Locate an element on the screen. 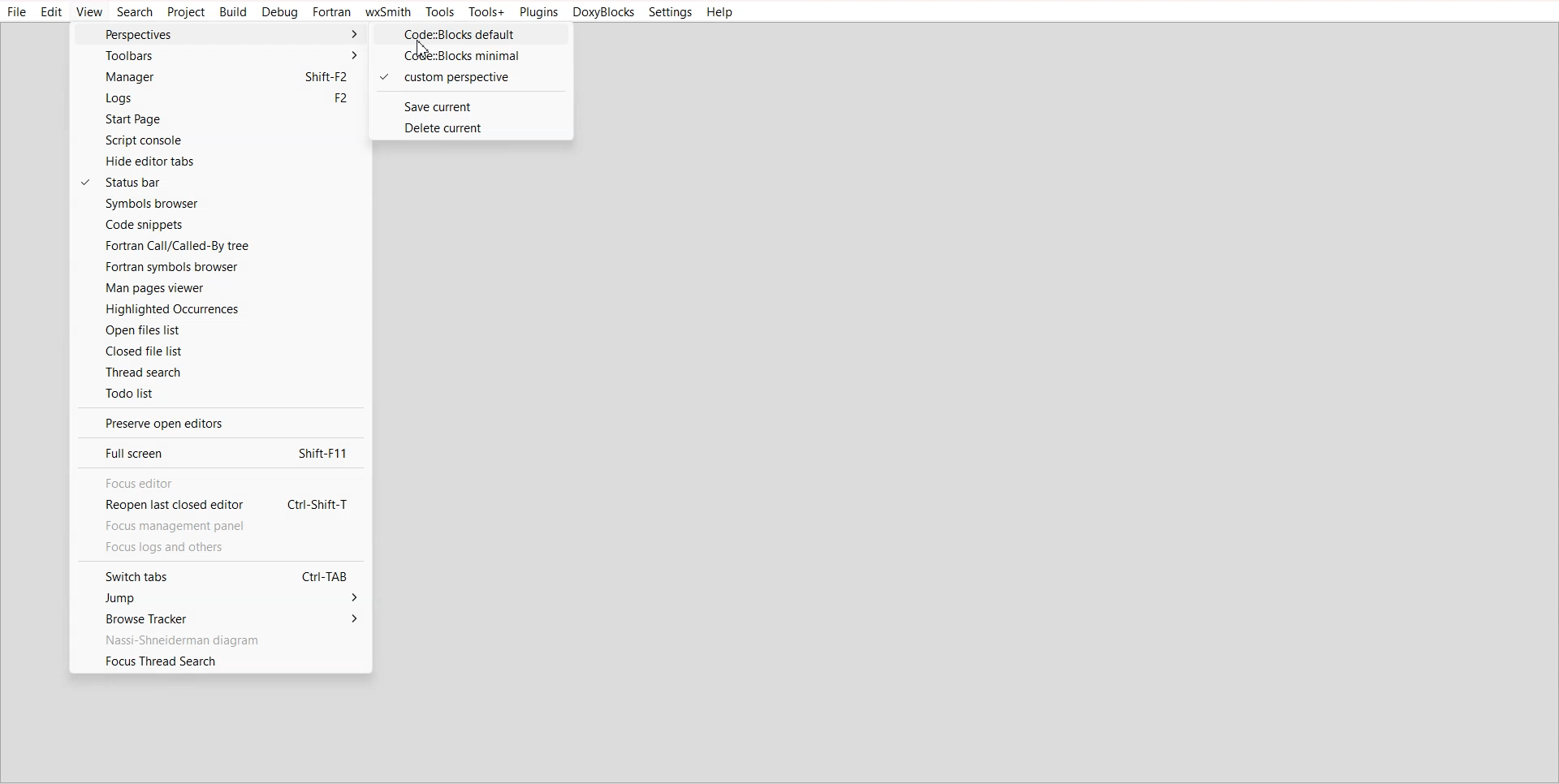 The width and height of the screenshot is (1559, 784). Toolbars is located at coordinates (218, 55).